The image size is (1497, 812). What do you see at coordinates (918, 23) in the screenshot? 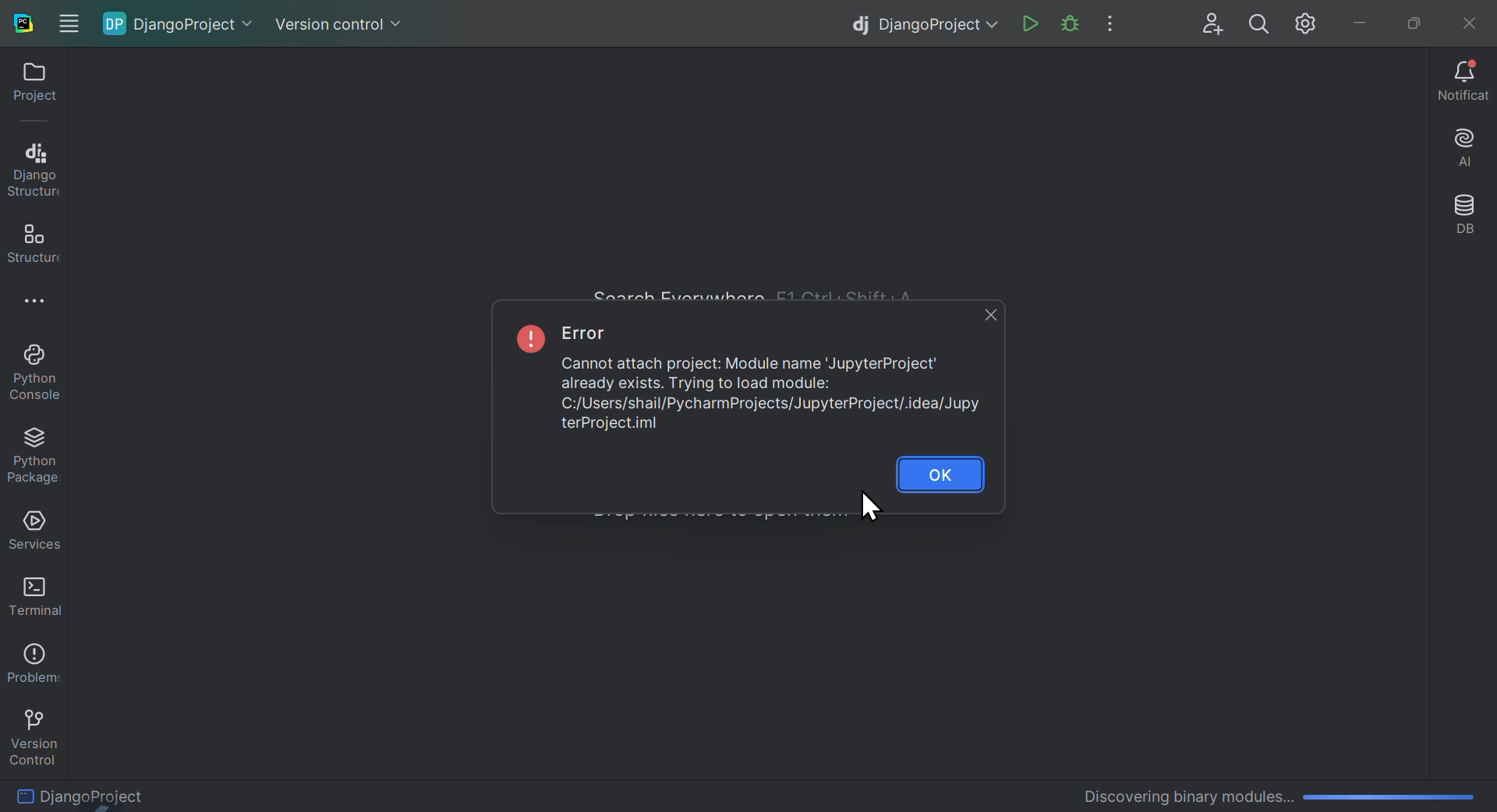
I see `Django project` at bounding box center [918, 23].